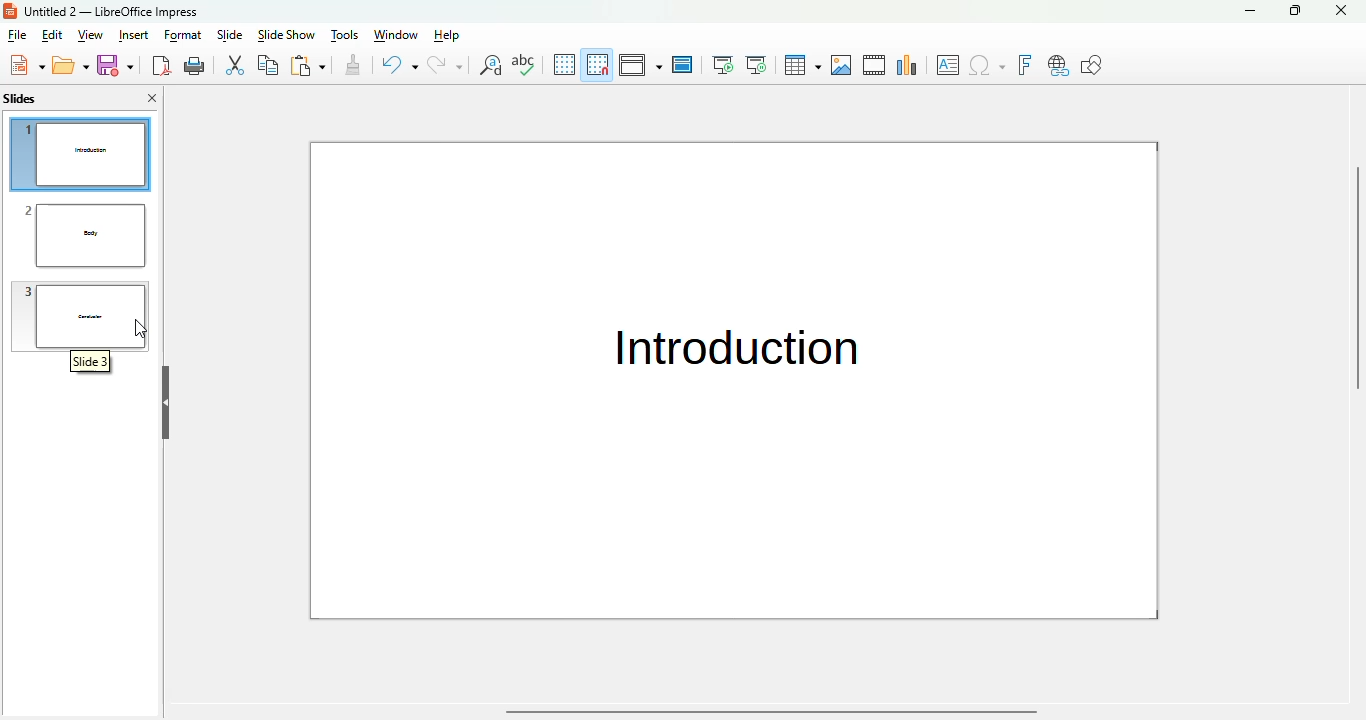 This screenshot has width=1366, height=720. I want to click on slides, so click(19, 99).